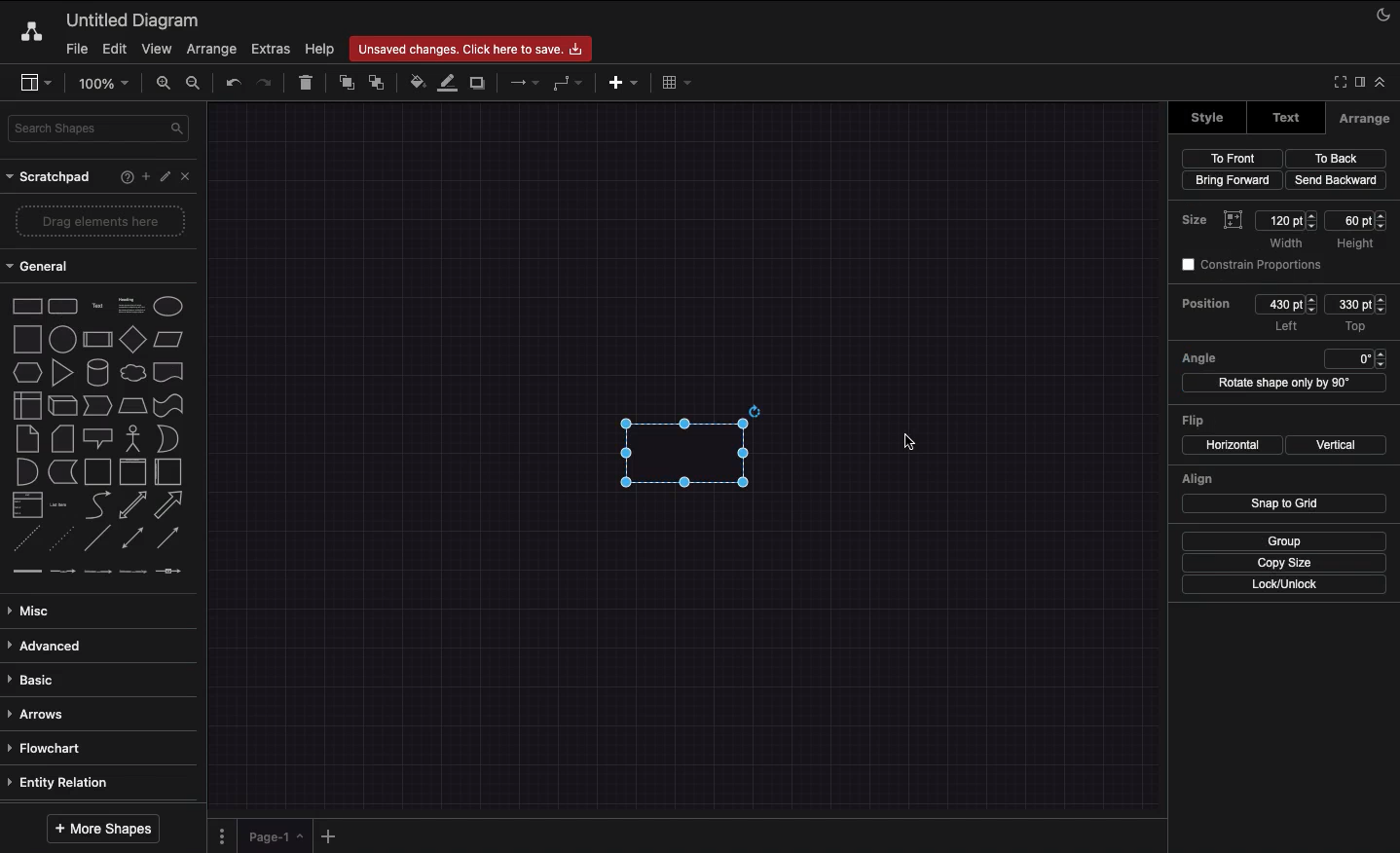 The width and height of the screenshot is (1400, 853). What do you see at coordinates (1360, 82) in the screenshot?
I see `Expand` at bounding box center [1360, 82].